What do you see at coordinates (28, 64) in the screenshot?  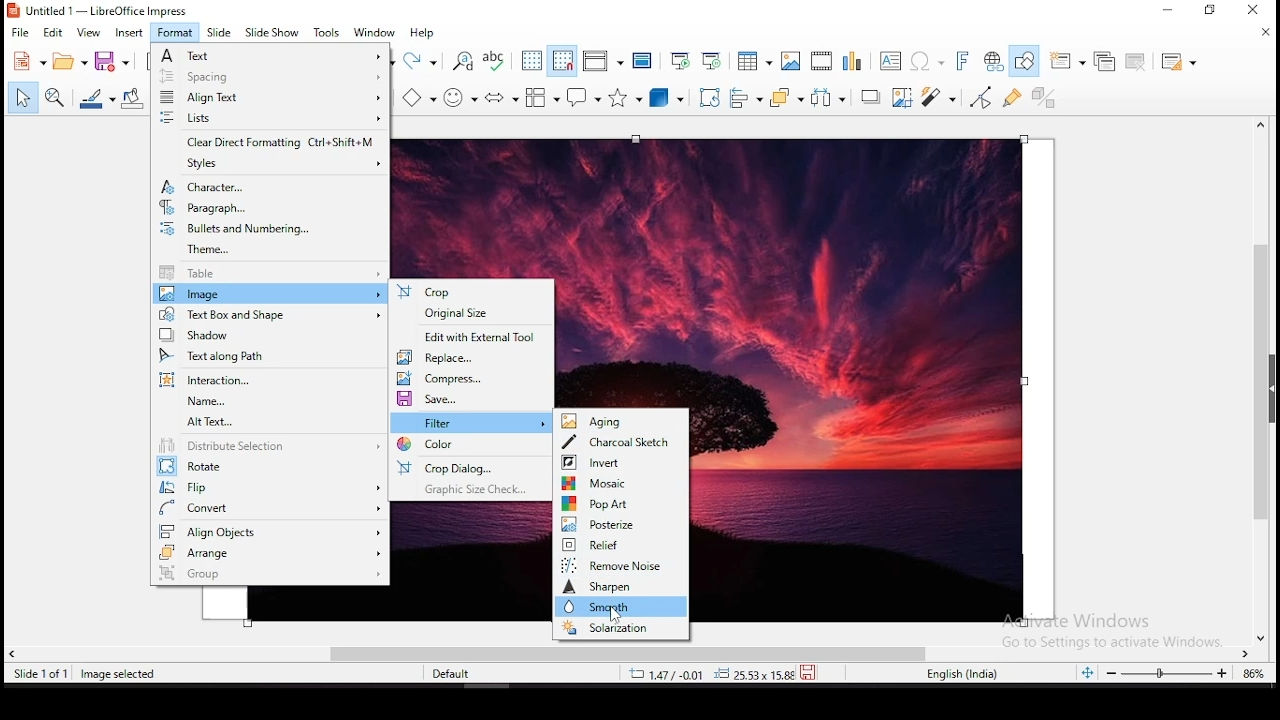 I see `new tool` at bounding box center [28, 64].